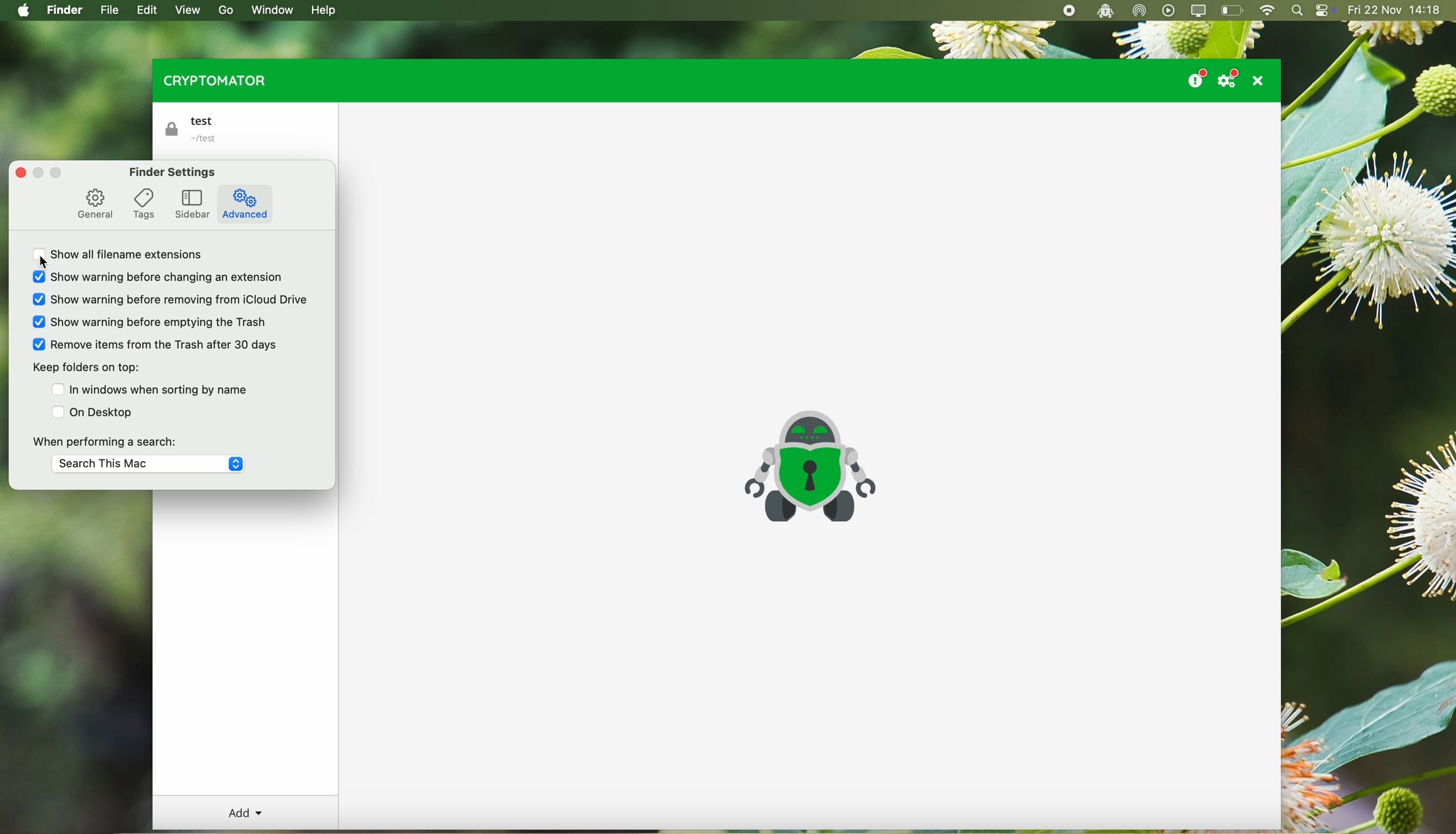 This screenshot has height=834, width=1456. Describe the element at coordinates (277, 9) in the screenshot. I see `window` at that location.